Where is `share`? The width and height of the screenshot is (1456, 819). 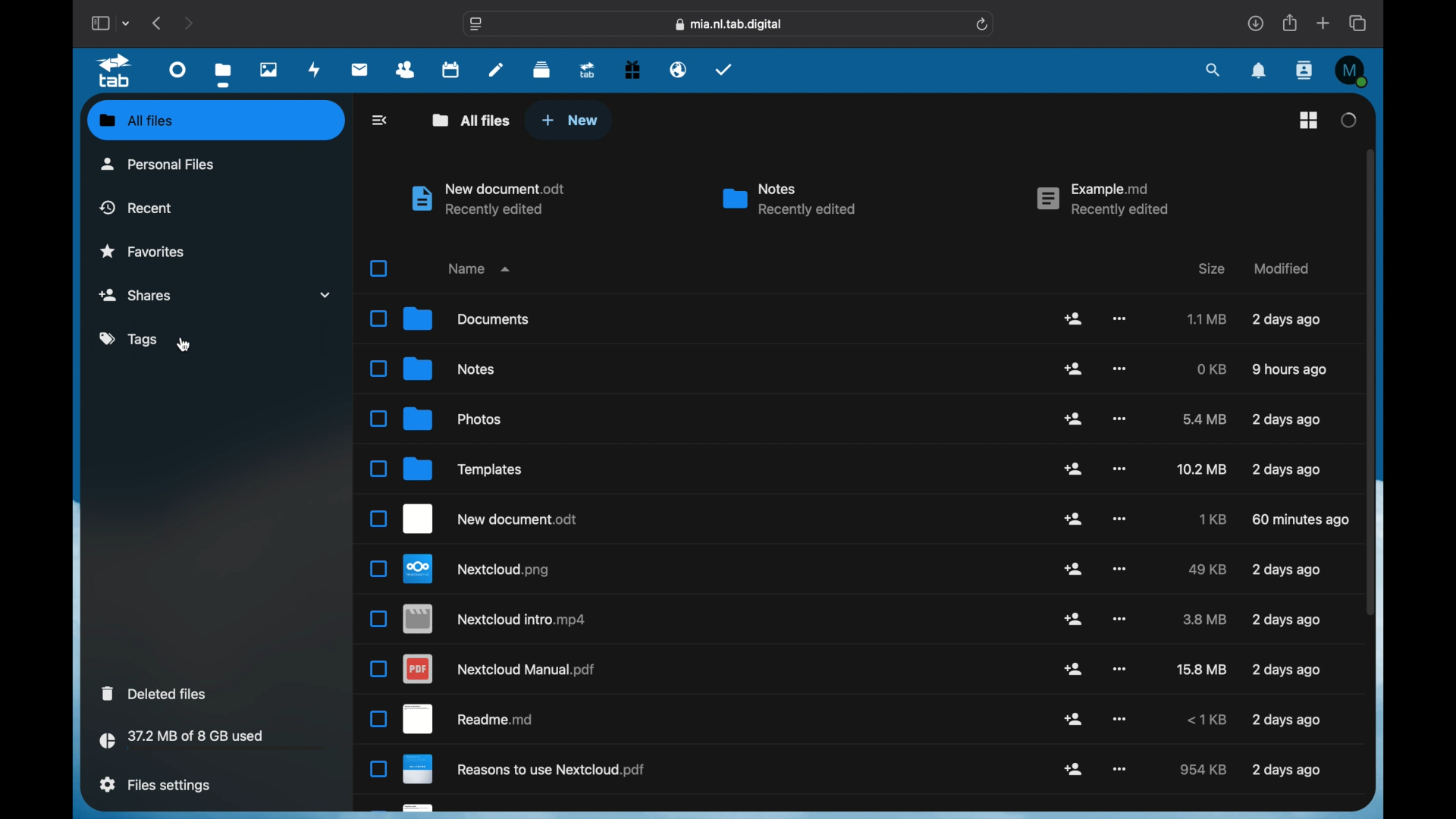
share is located at coordinates (1075, 369).